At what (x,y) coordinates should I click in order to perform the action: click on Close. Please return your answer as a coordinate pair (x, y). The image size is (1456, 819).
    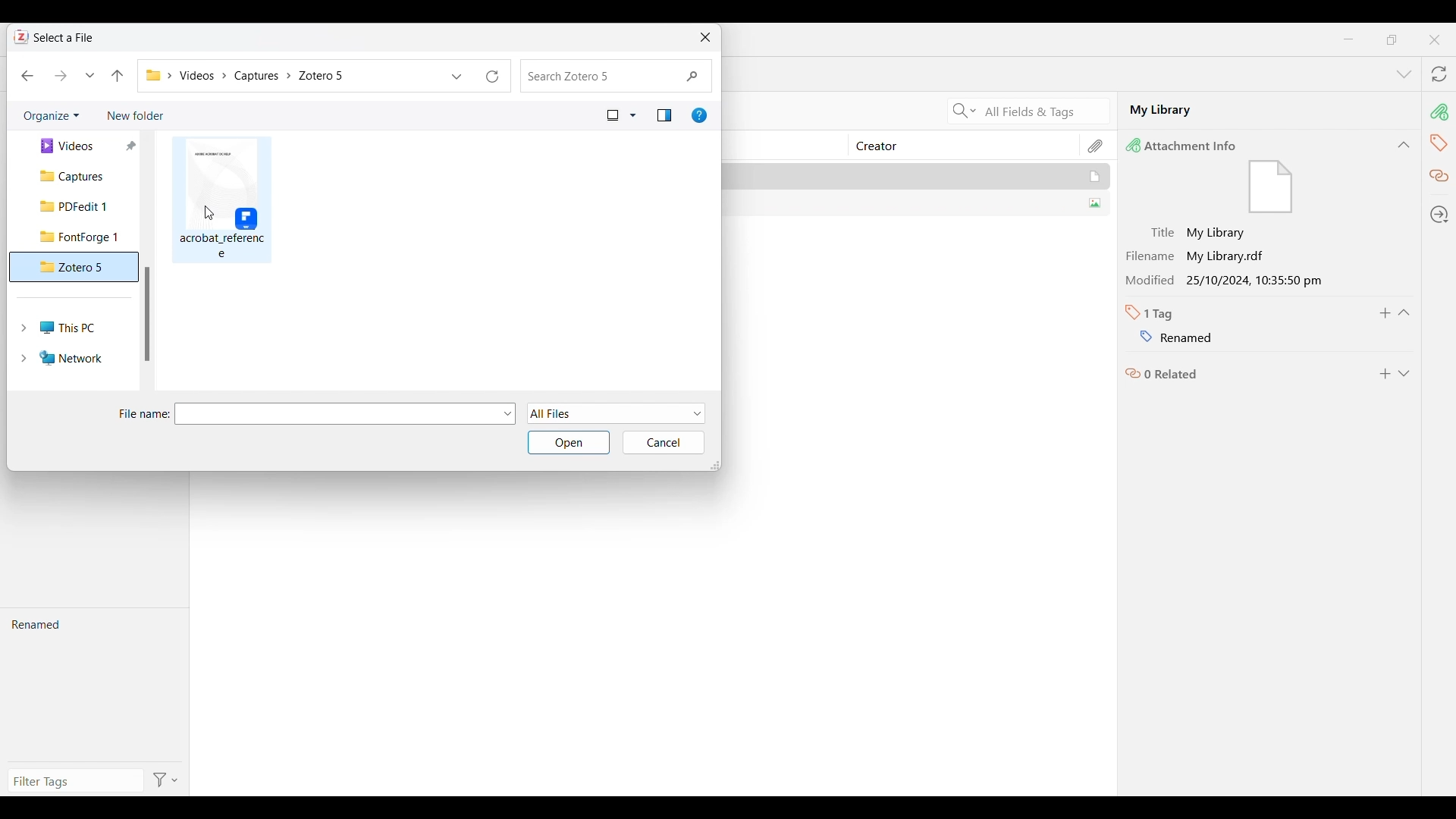
    Looking at the image, I should click on (703, 39).